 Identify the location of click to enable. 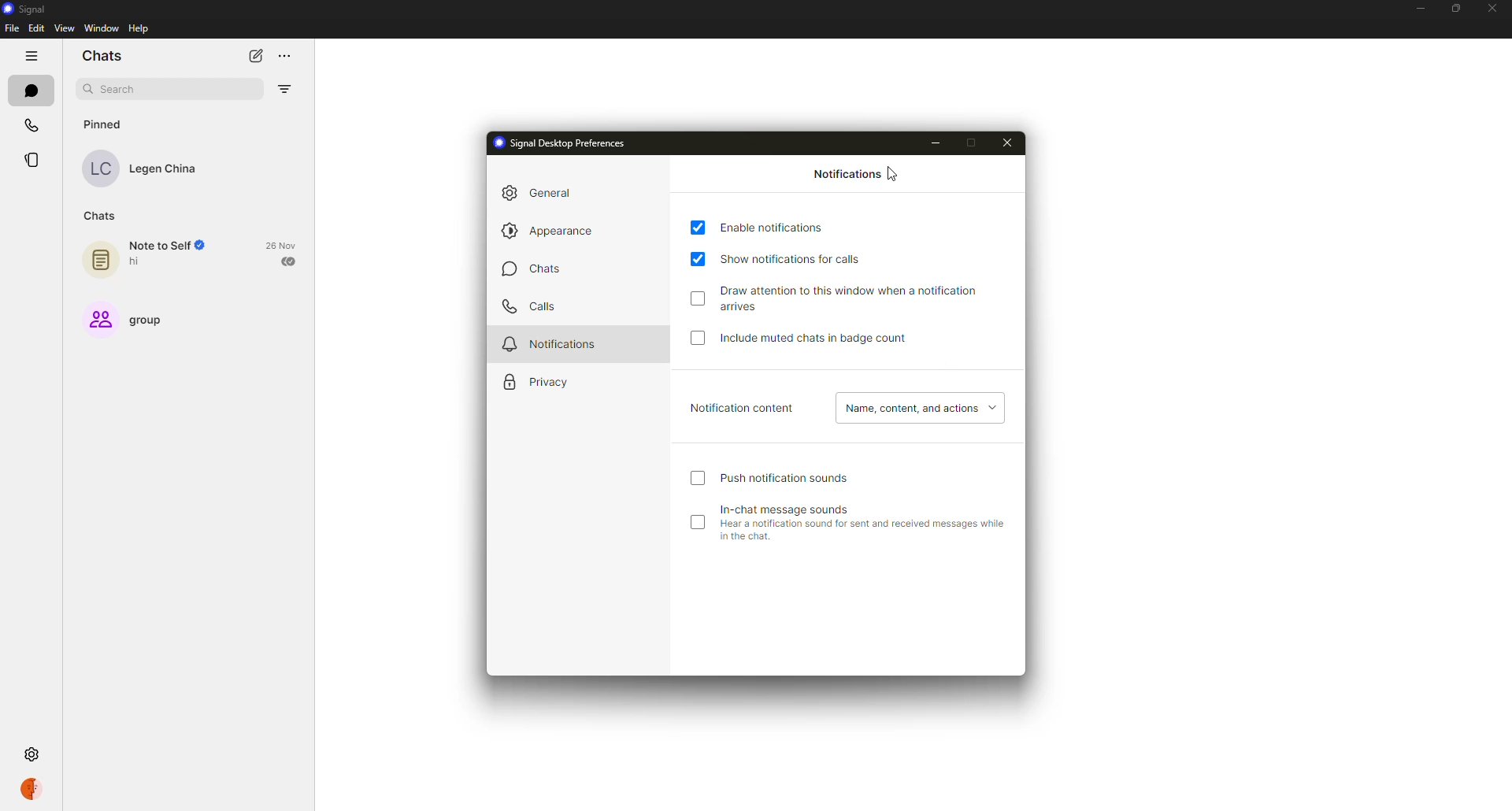
(698, 299).